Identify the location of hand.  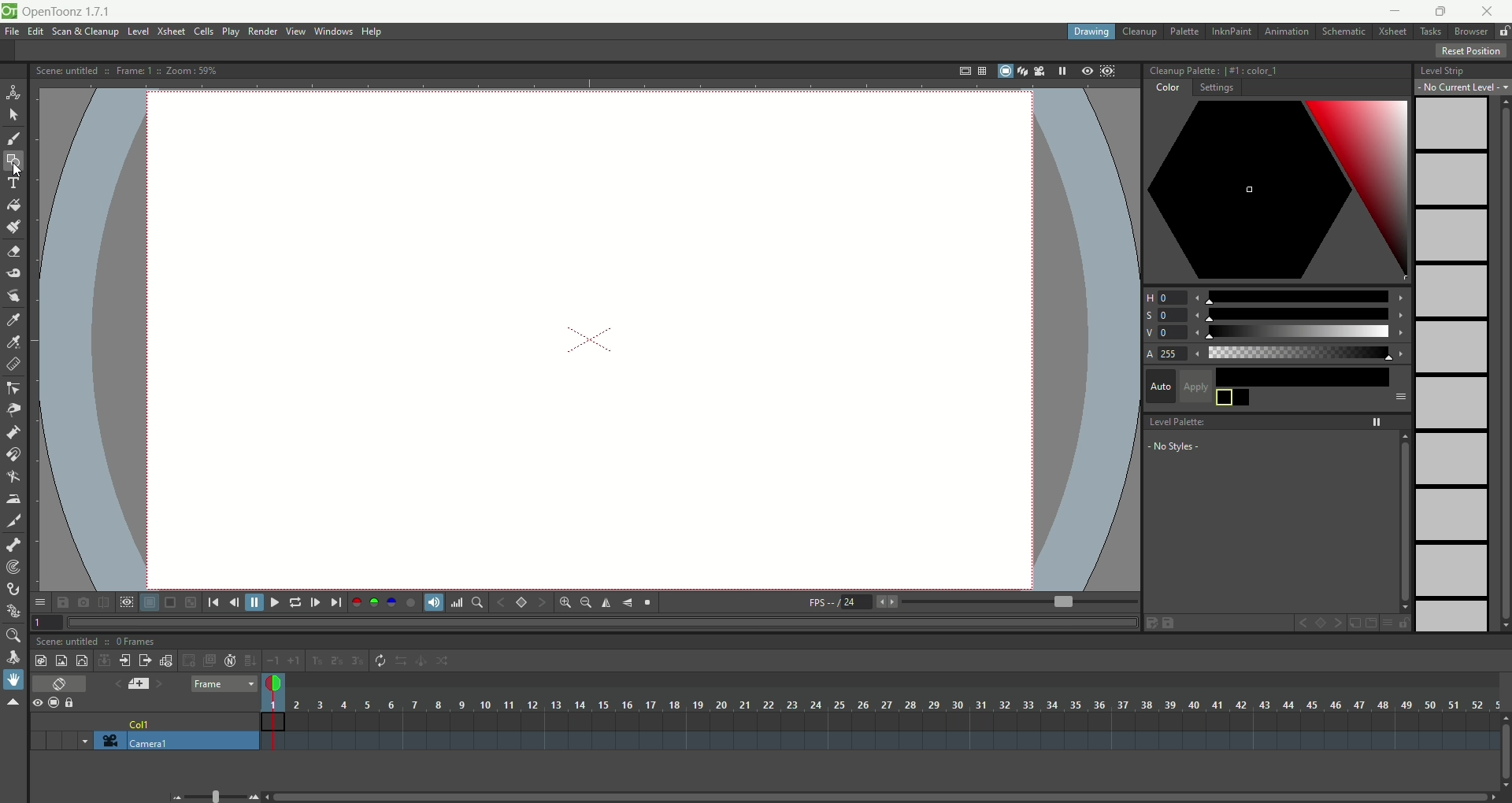
(13, 679).